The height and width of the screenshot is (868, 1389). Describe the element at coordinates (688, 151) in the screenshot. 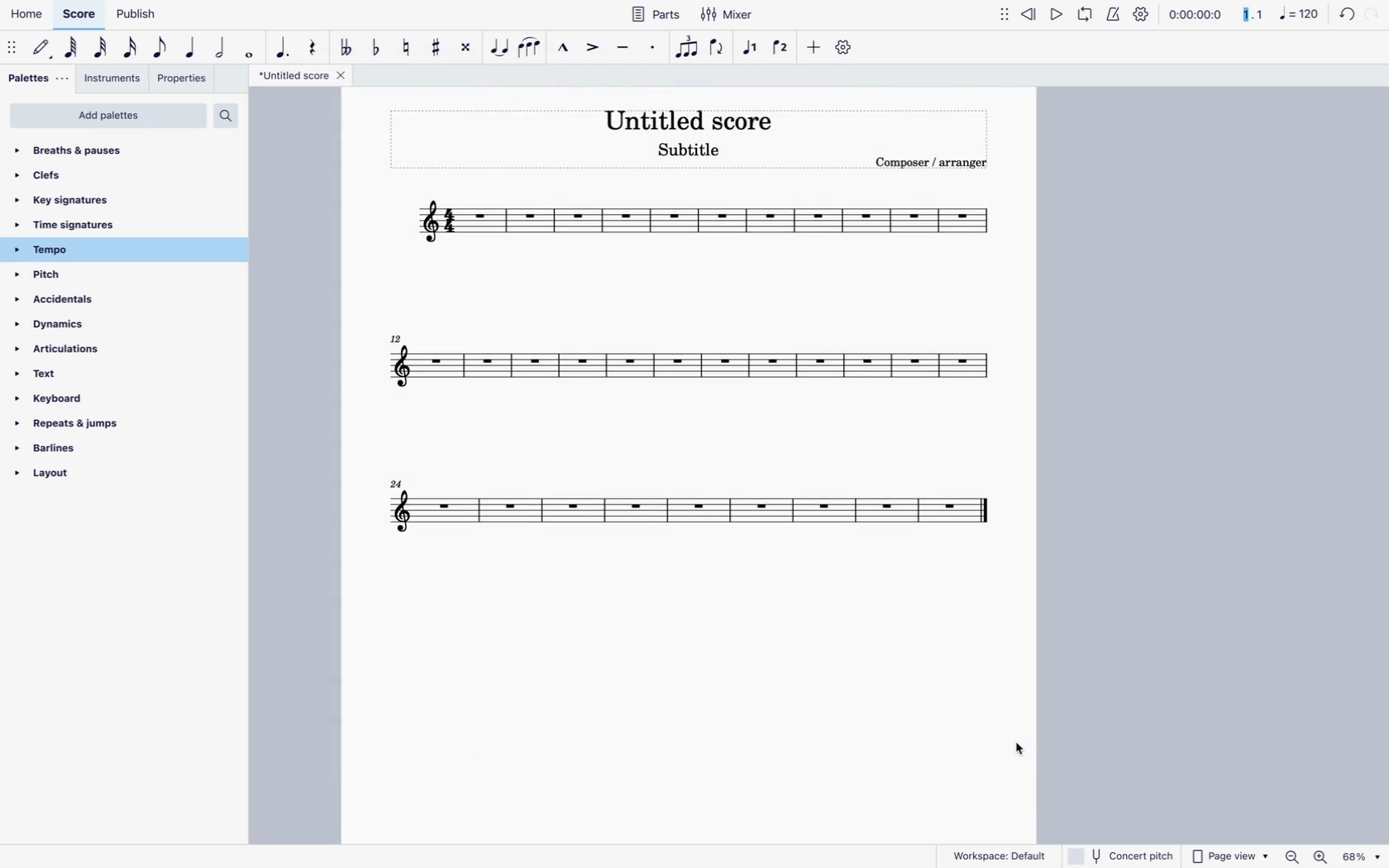

I see `Subtitle` at that location.